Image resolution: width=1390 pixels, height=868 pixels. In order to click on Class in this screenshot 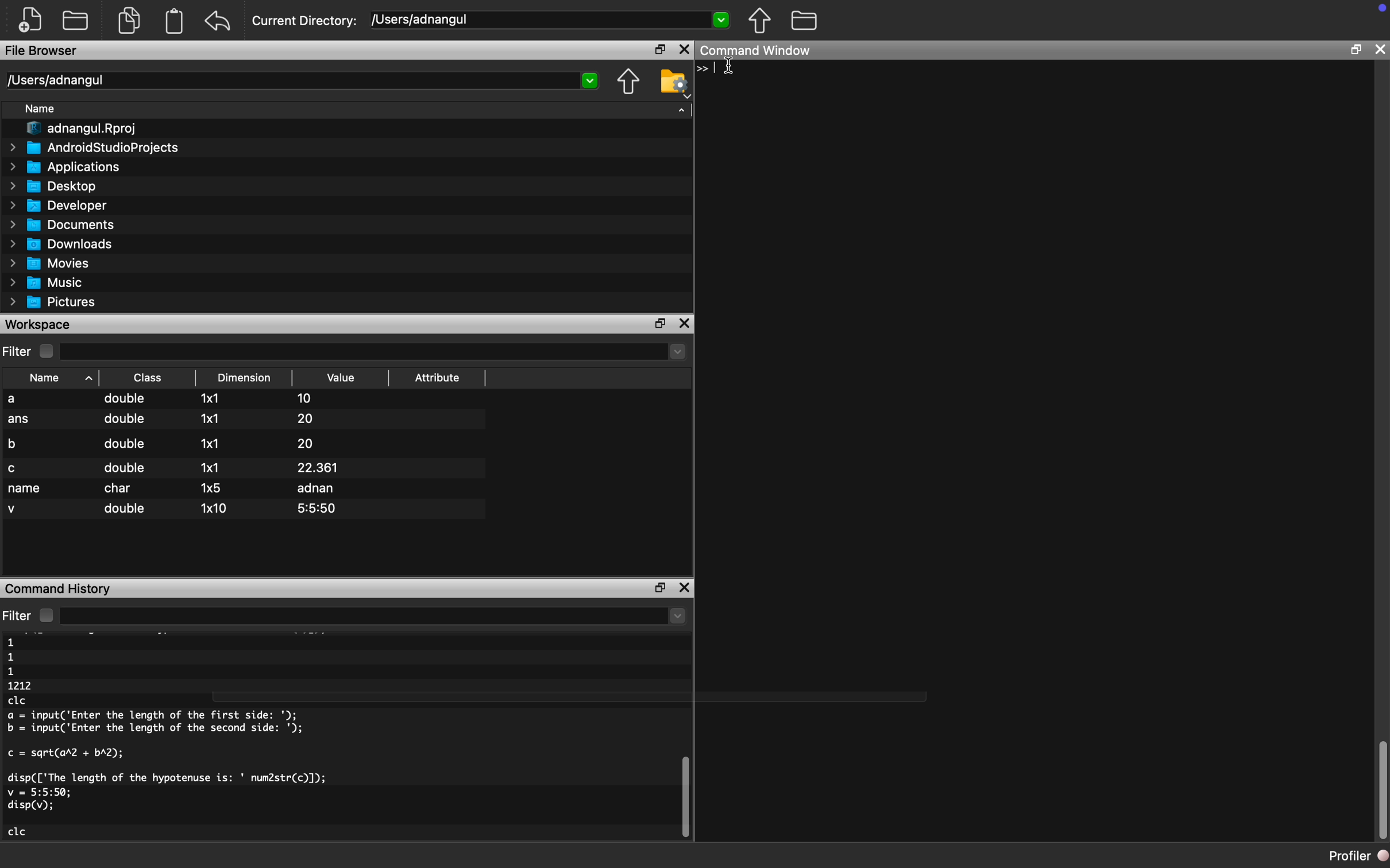, I will do `click(149, 377)`.